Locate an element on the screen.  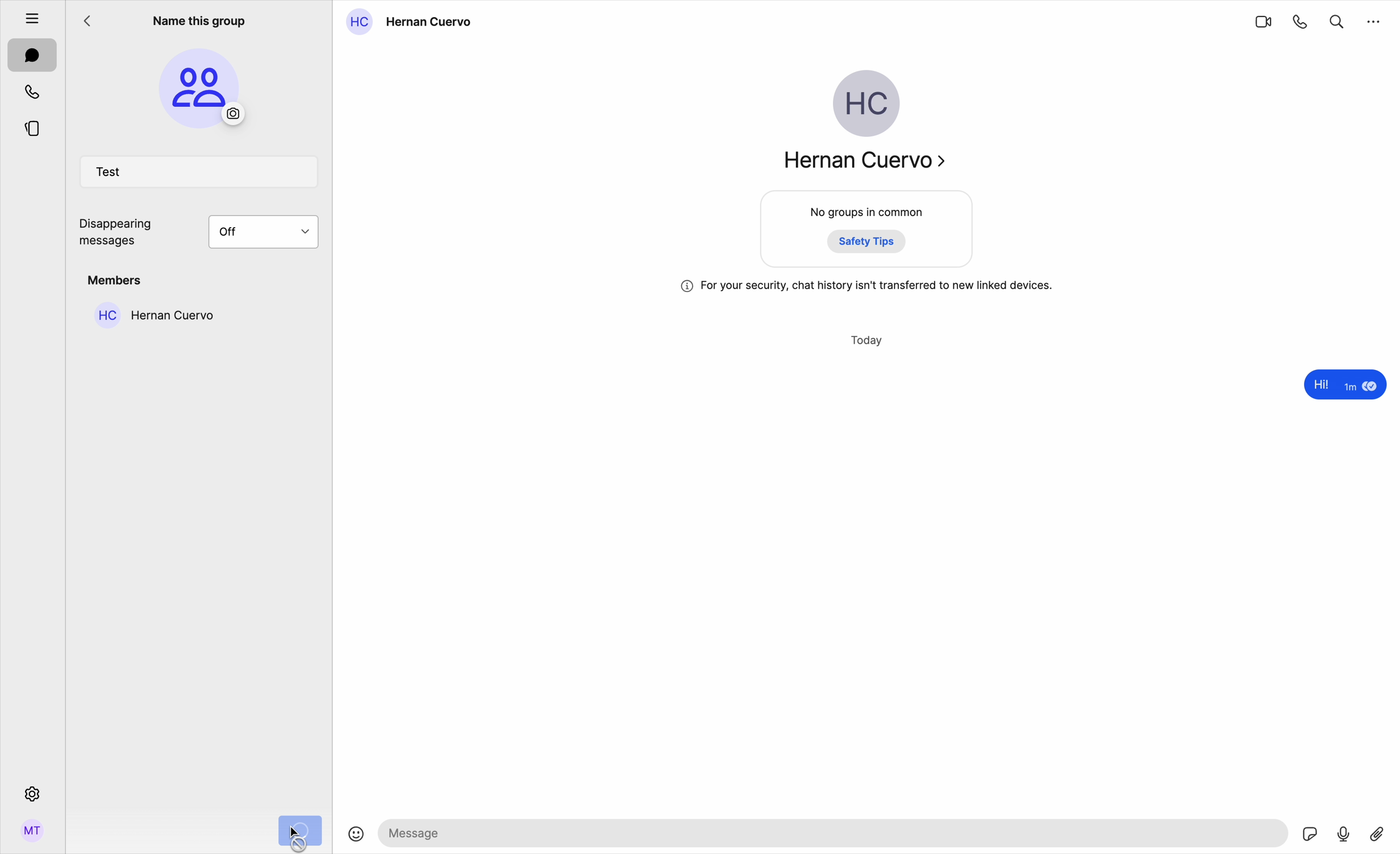
chats is located at coordinates (32, 56).